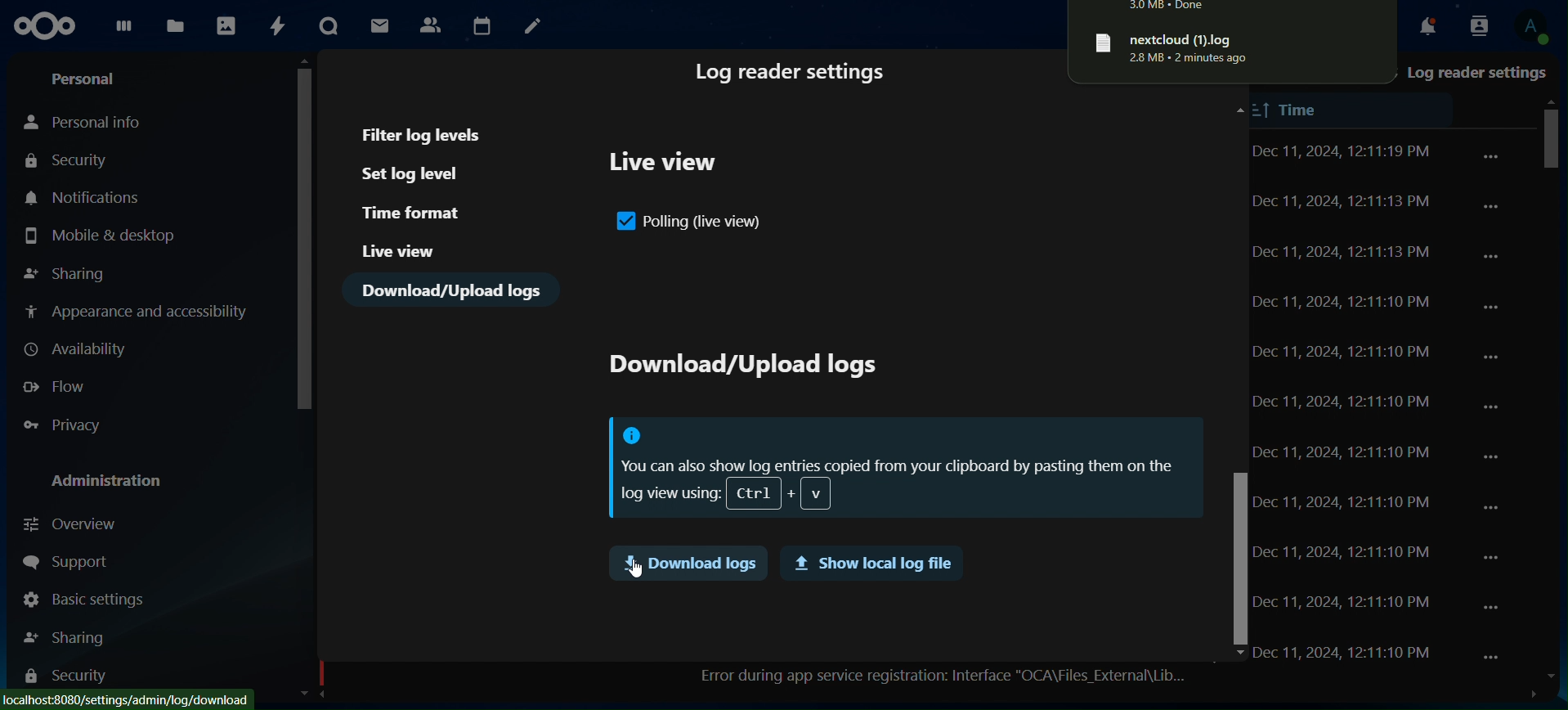 Image resolution: width=1568 pixels, height=710 pixels. What do you see at coordinates (1474, 25) in the screenshot?
I see `search contacts` at bounding box center [1474, 25].